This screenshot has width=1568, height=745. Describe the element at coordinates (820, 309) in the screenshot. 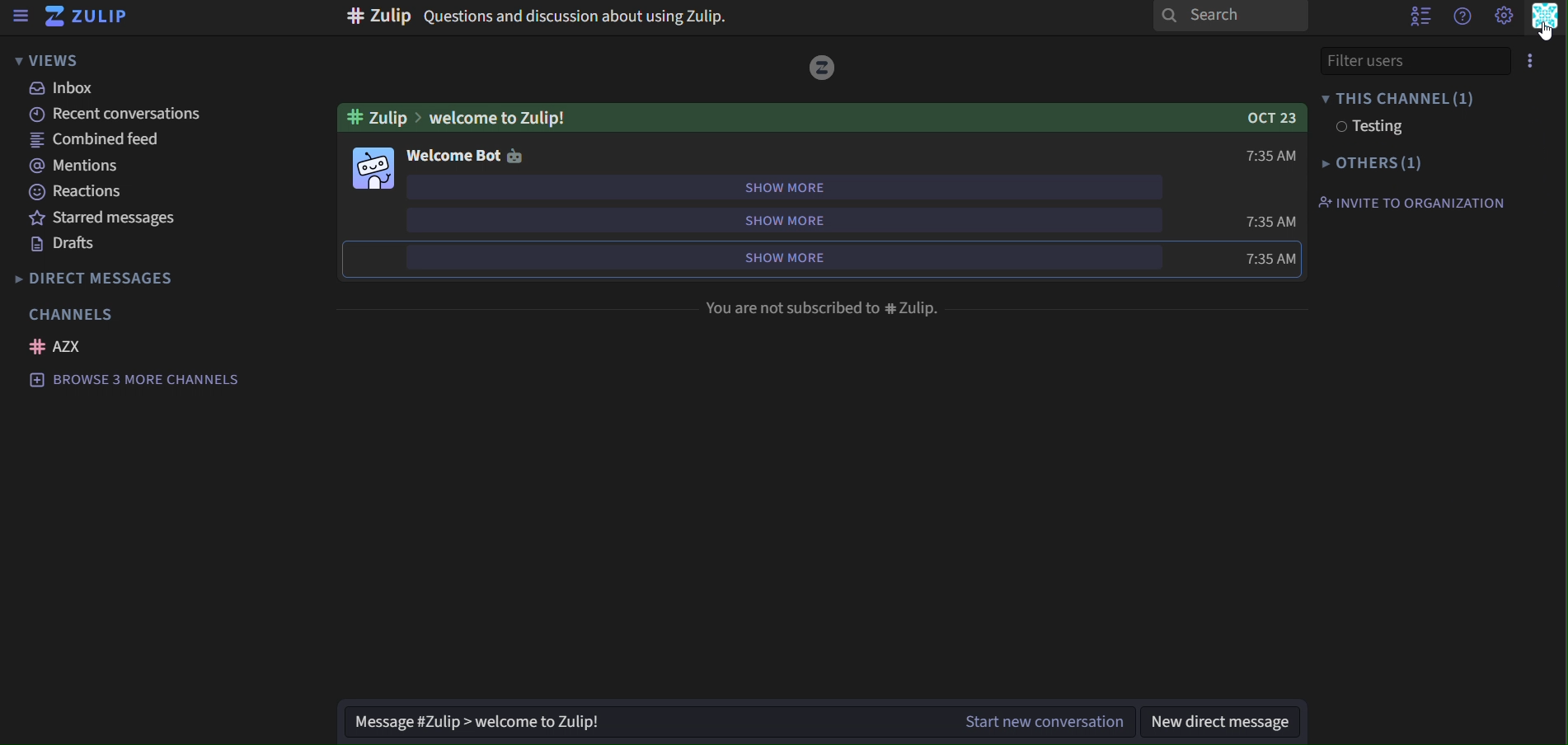

I see `You are not subcribed to #zulip` at that location.